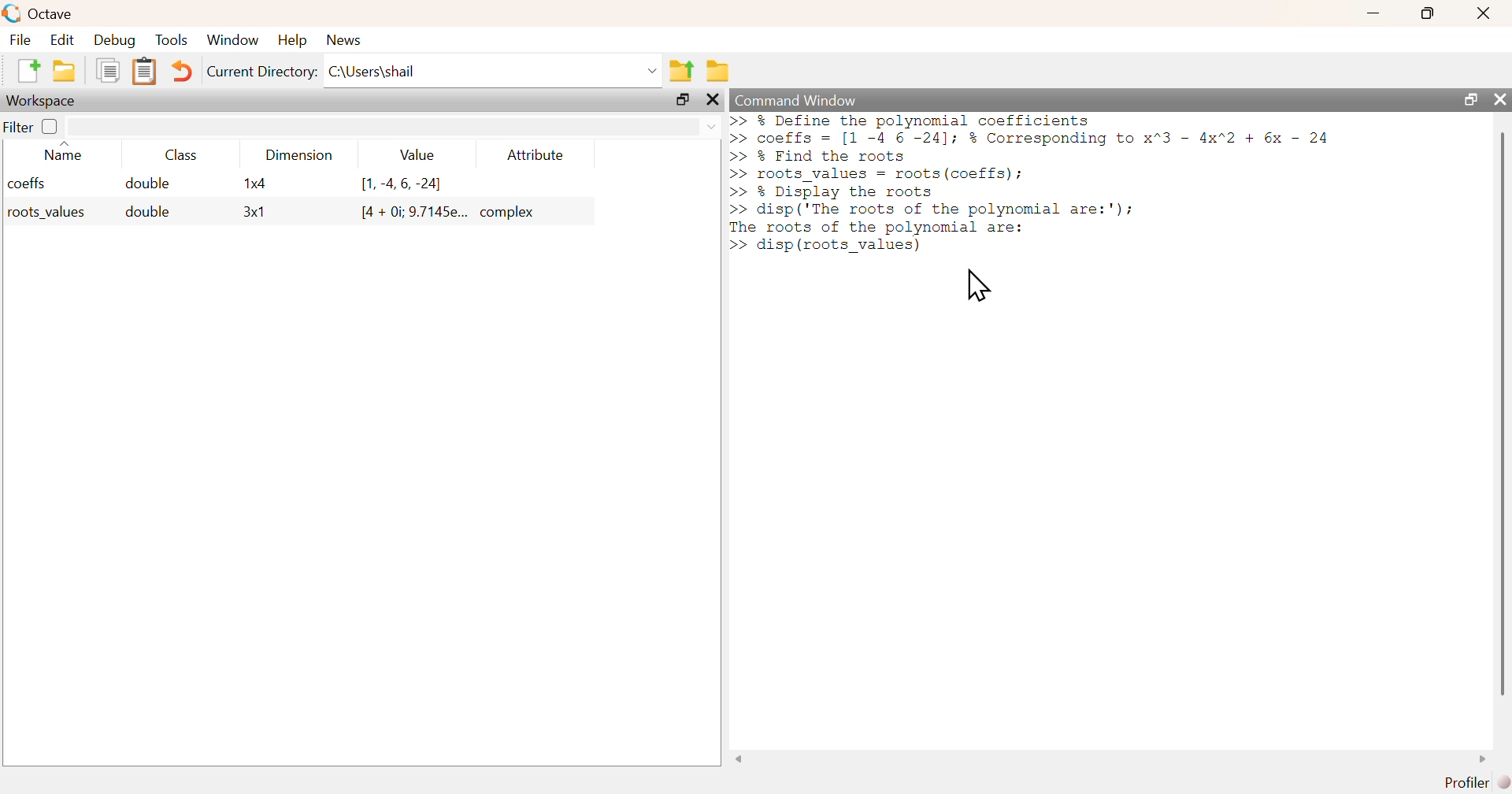 The width and height of the screenshot is (1512, 794). I want to click on Folder, so click(717, 69).